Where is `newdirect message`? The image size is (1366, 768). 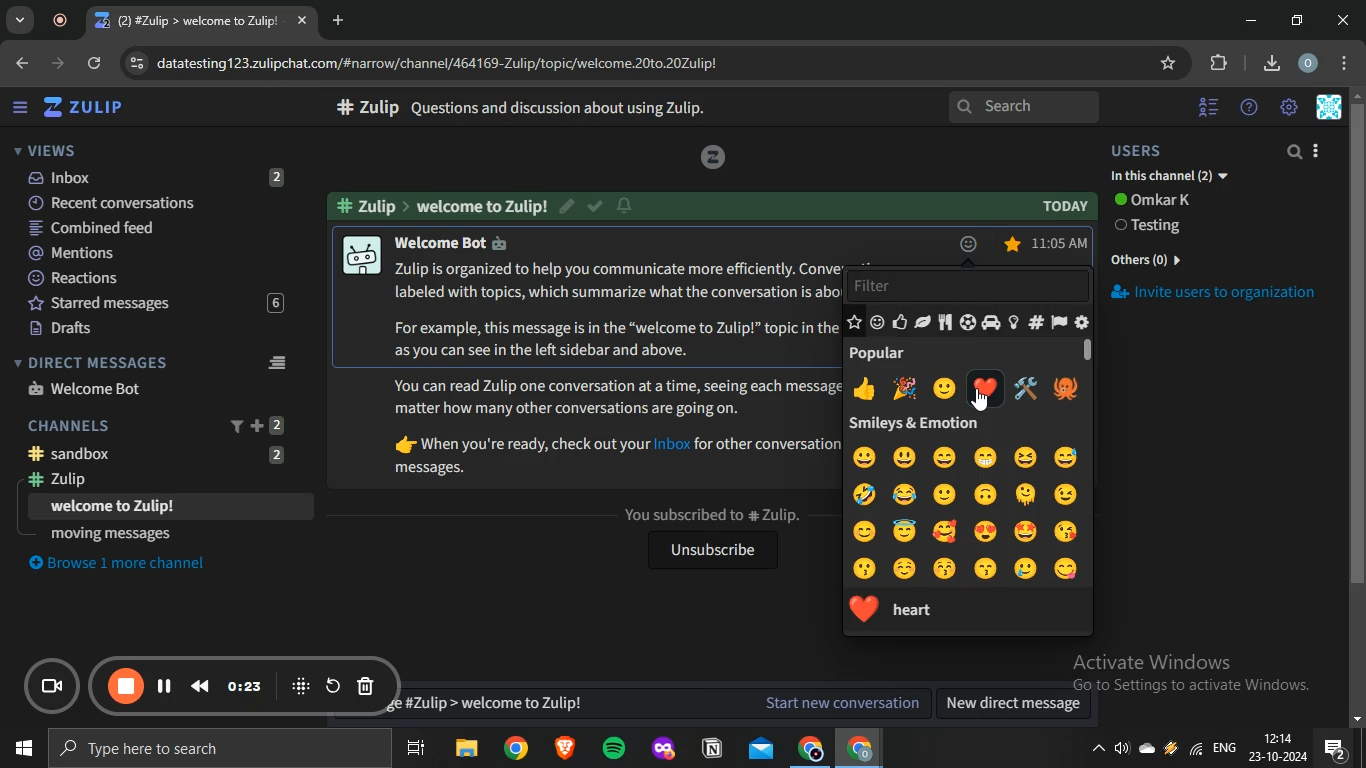 newdirect message is located at coordinates (1019, 705).